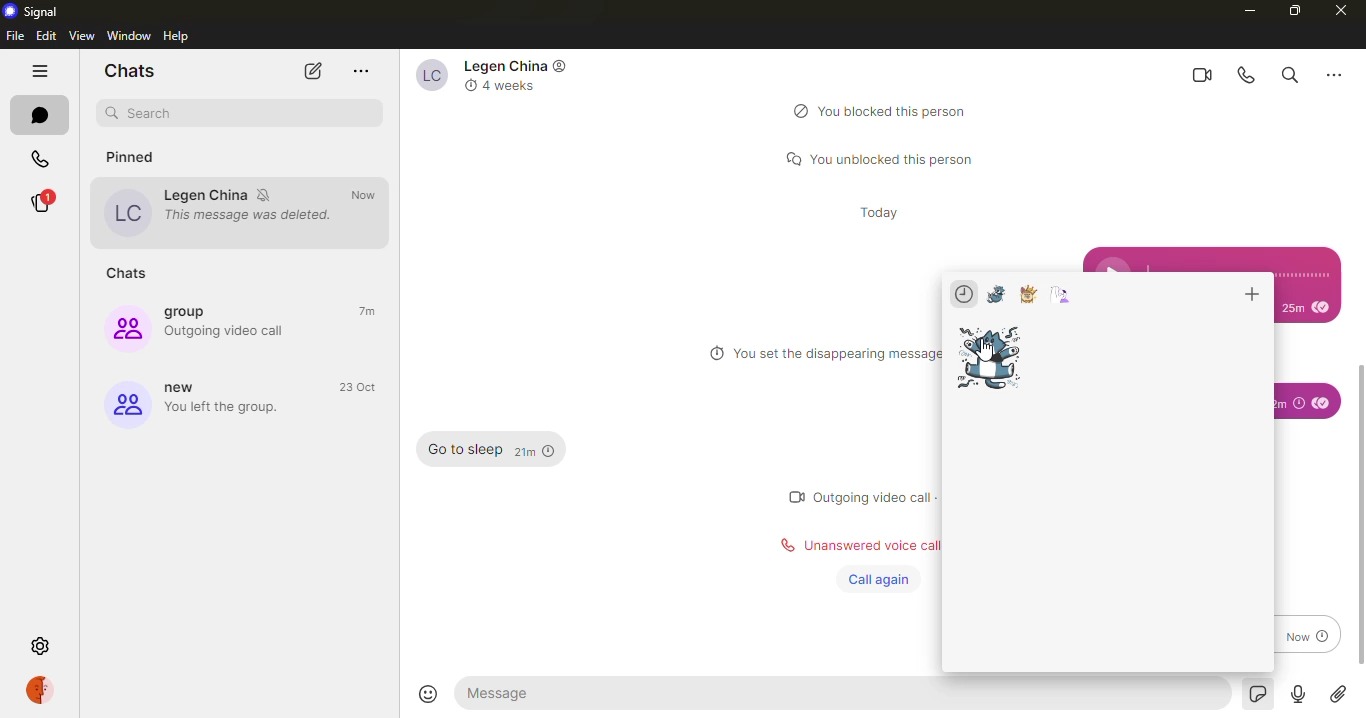 Image resolution: width=1366 pixels, height=718 pixels. What do you see at coordinates (1296, 695) in the screenshot?
I see `record` at bounding box center [1296, 695].